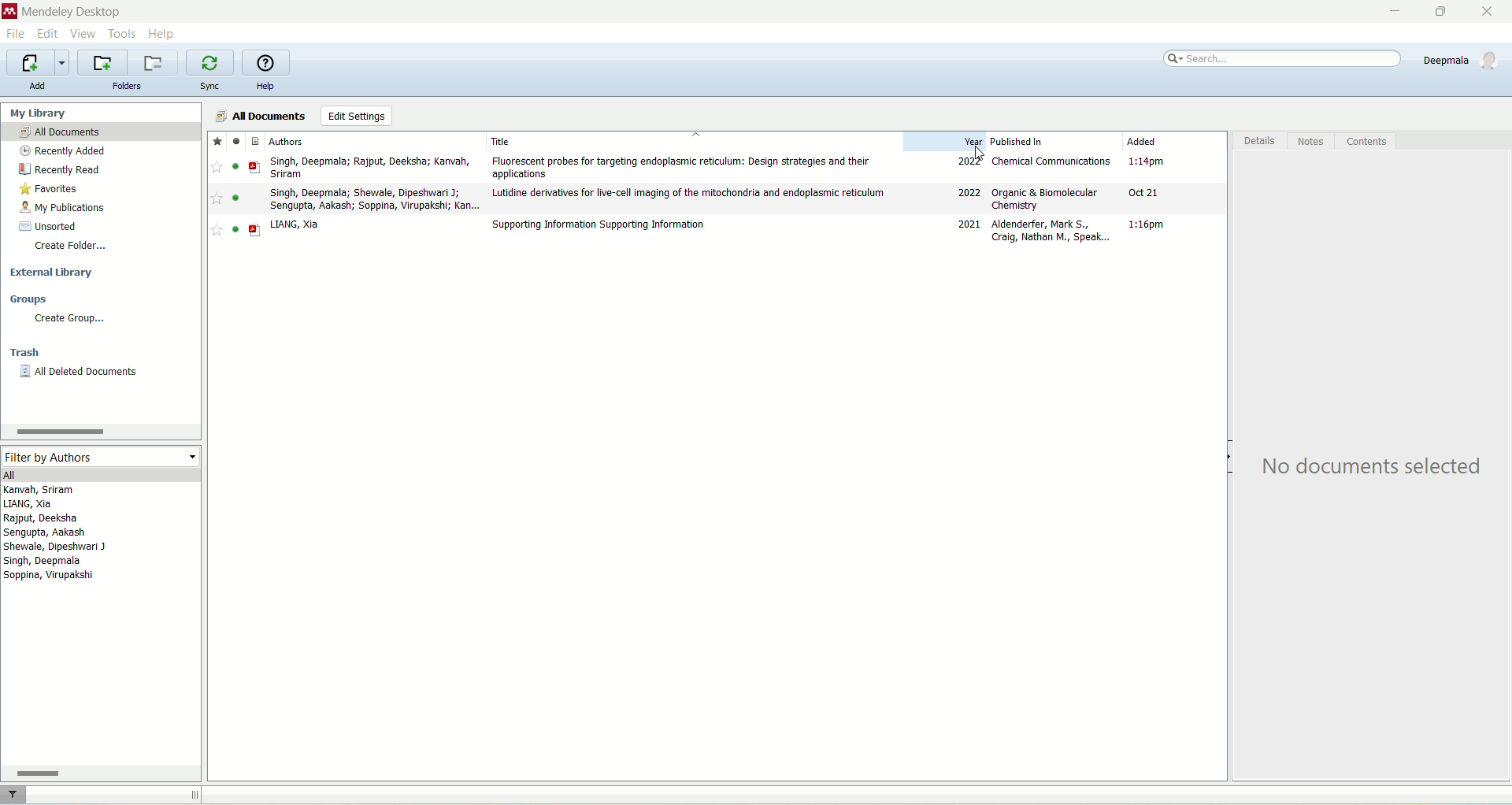  Describe the element at coordinates (255, 165) in the screenshot. I see `PDF` at that location.